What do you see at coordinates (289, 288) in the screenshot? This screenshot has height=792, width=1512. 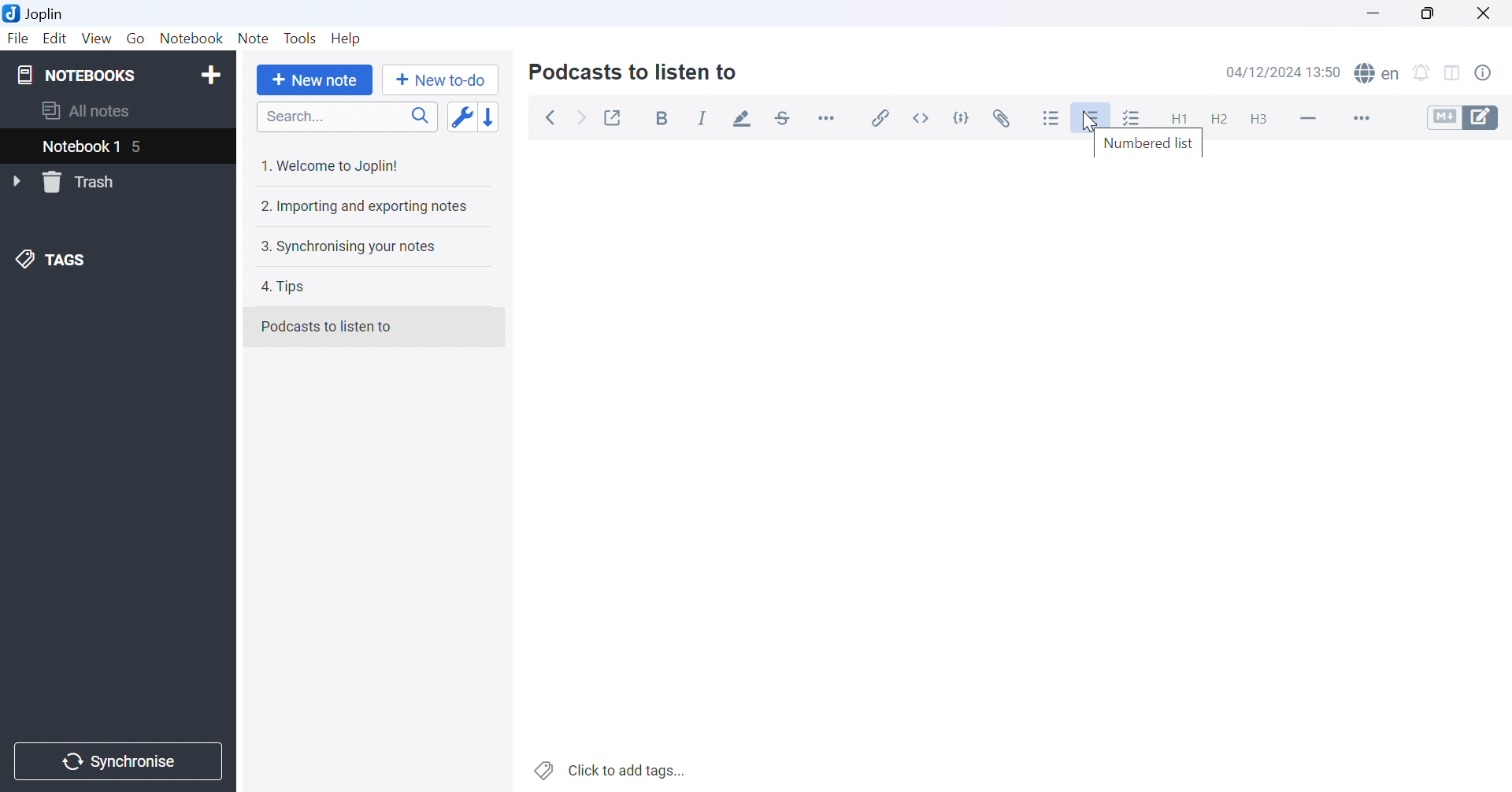 I see `4. Tips` at bounding box center [289, 288].